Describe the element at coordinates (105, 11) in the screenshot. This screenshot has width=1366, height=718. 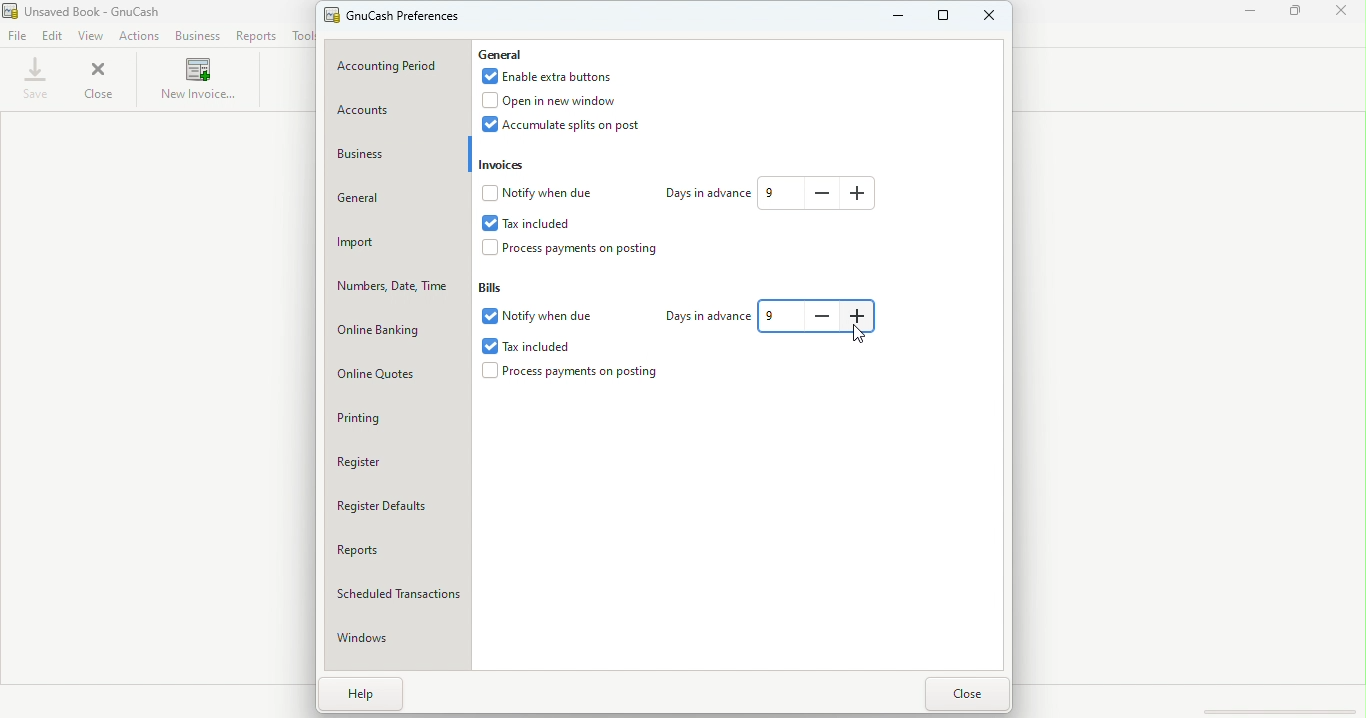
I see `File name` at that location.